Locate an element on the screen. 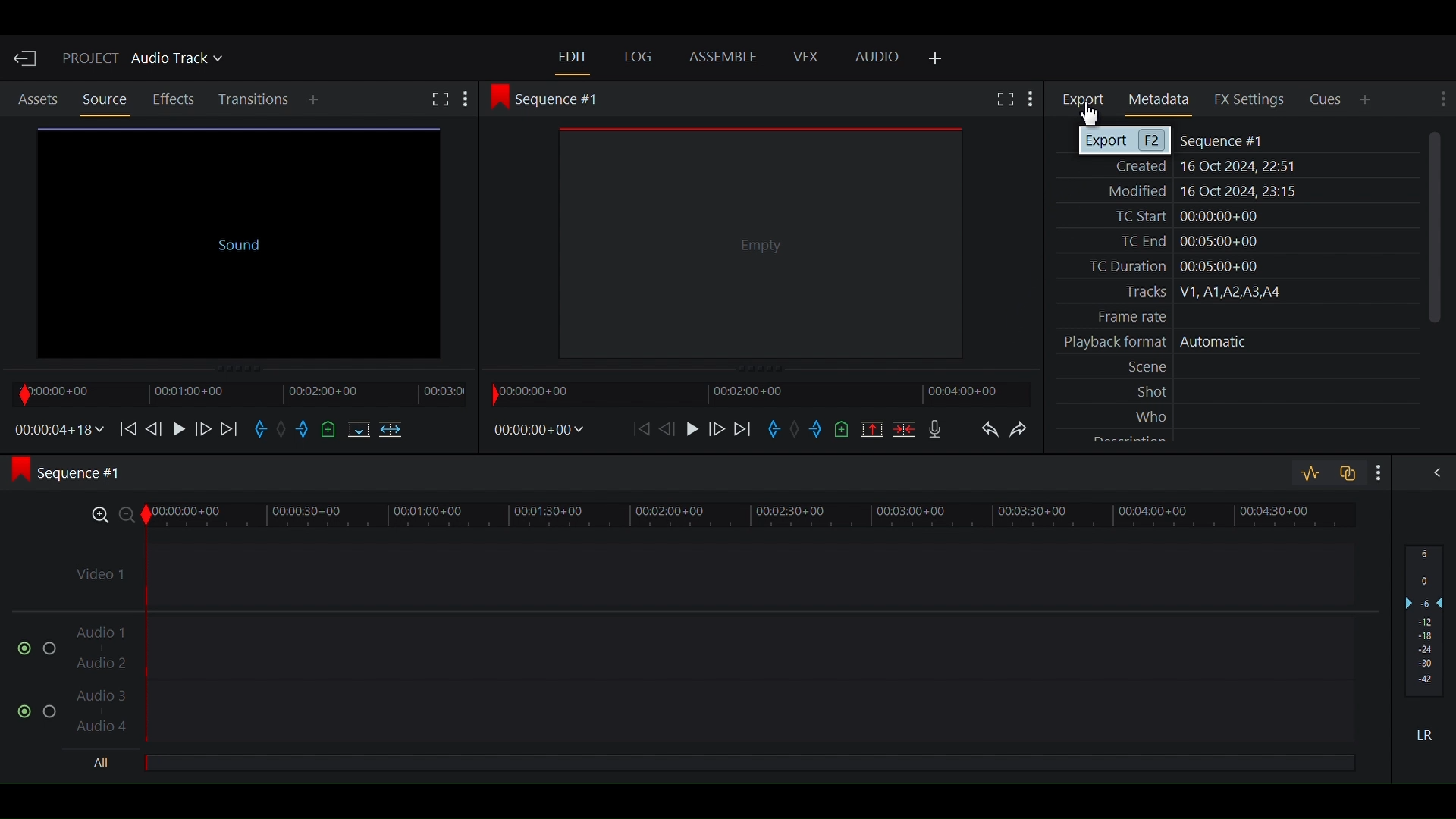 This screenshot has width=1456, height=819. VFX is located at coordinates (805, 57).